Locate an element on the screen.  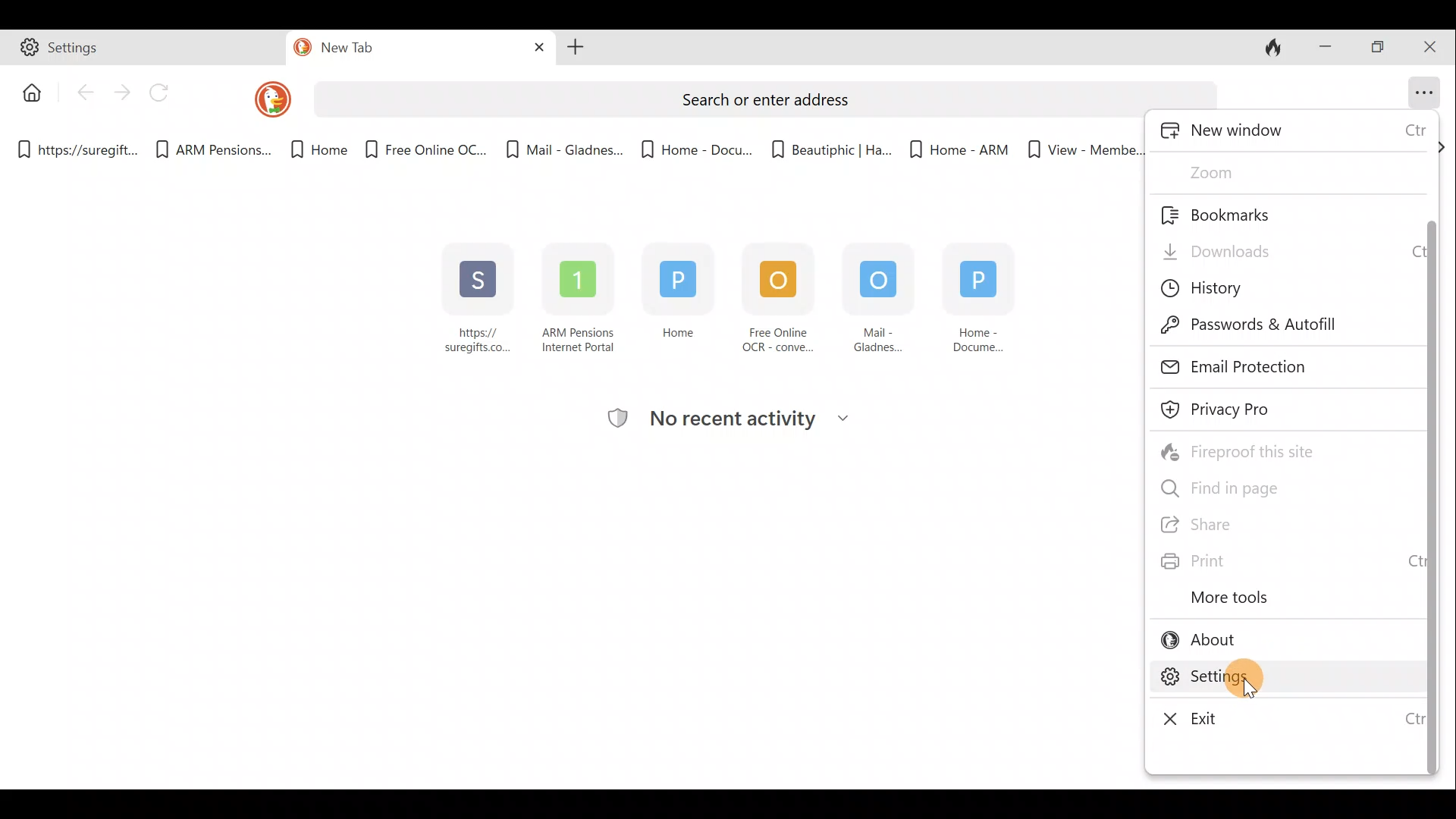
More tools is located at coordinates (1225, 602).